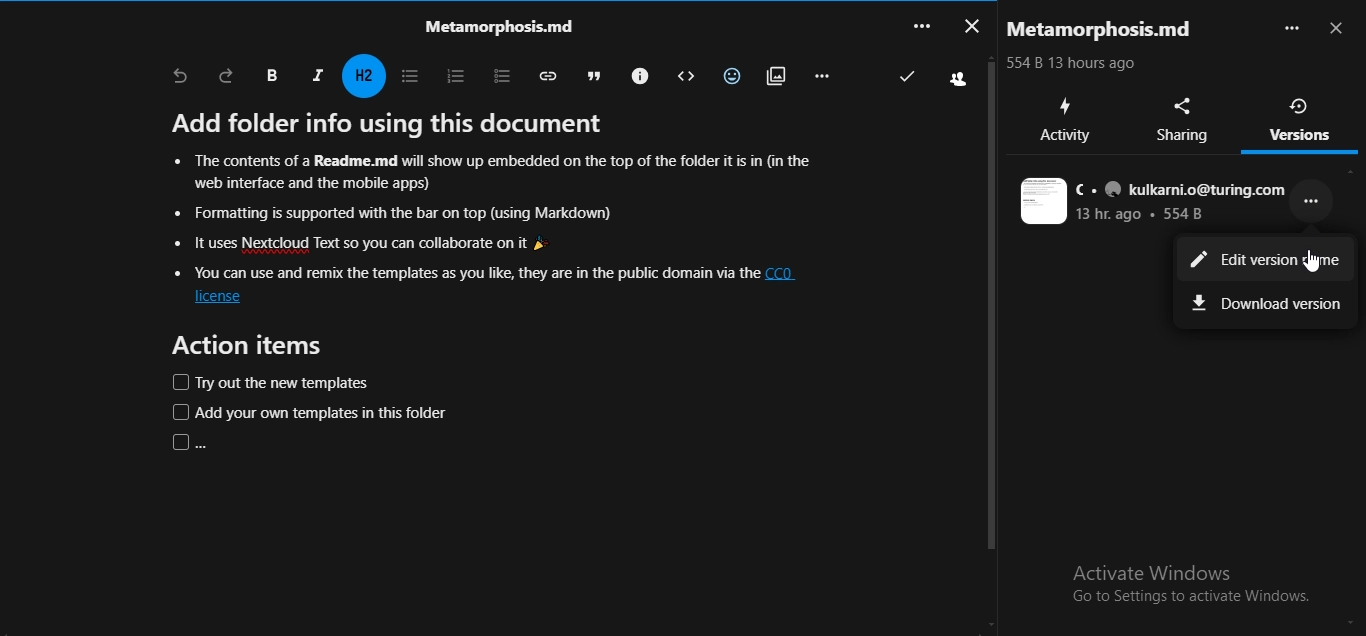 The image size is (1366, 636). I want to click on text, so click(1106, 30).